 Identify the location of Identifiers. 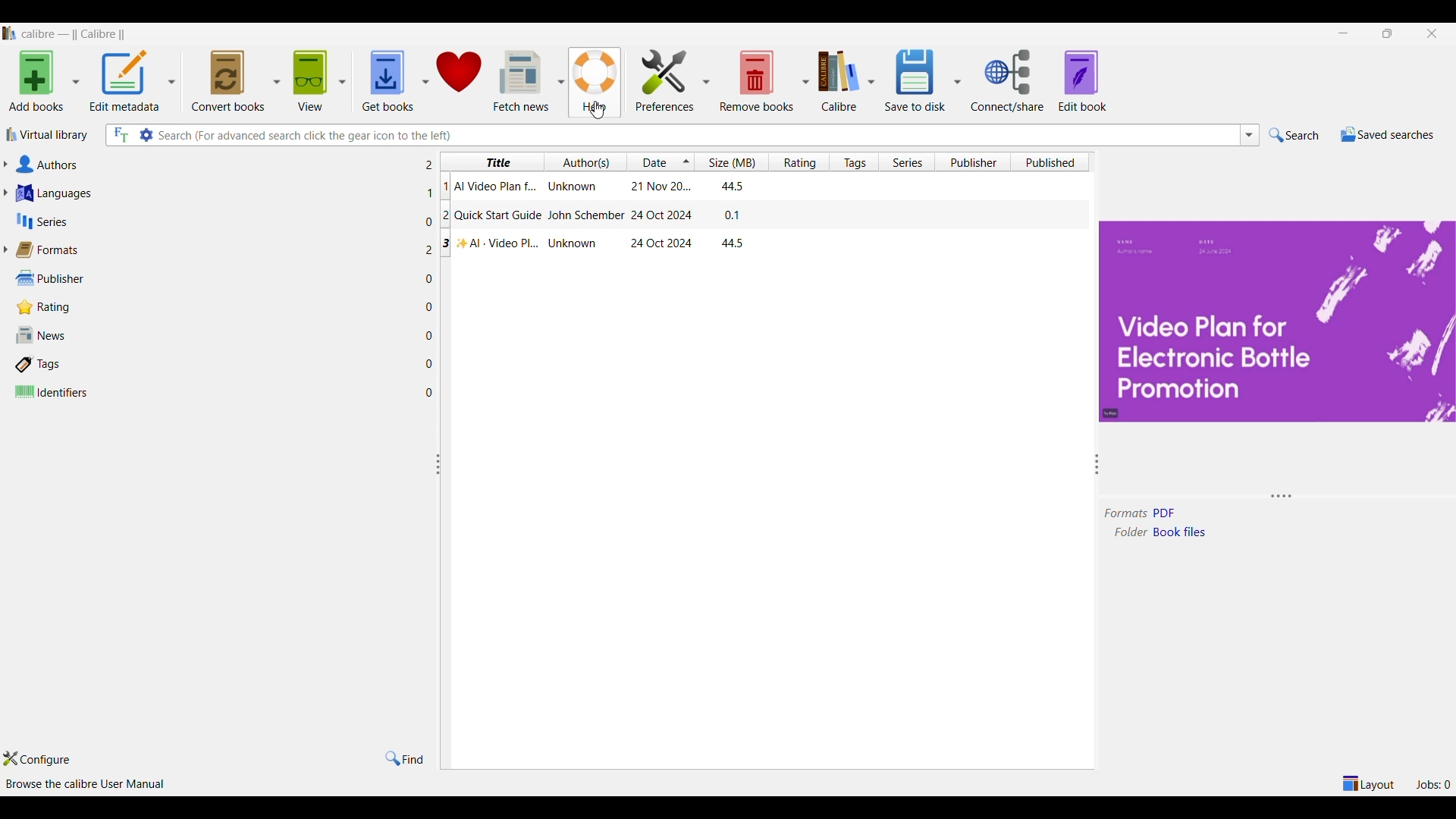
(206, 391).